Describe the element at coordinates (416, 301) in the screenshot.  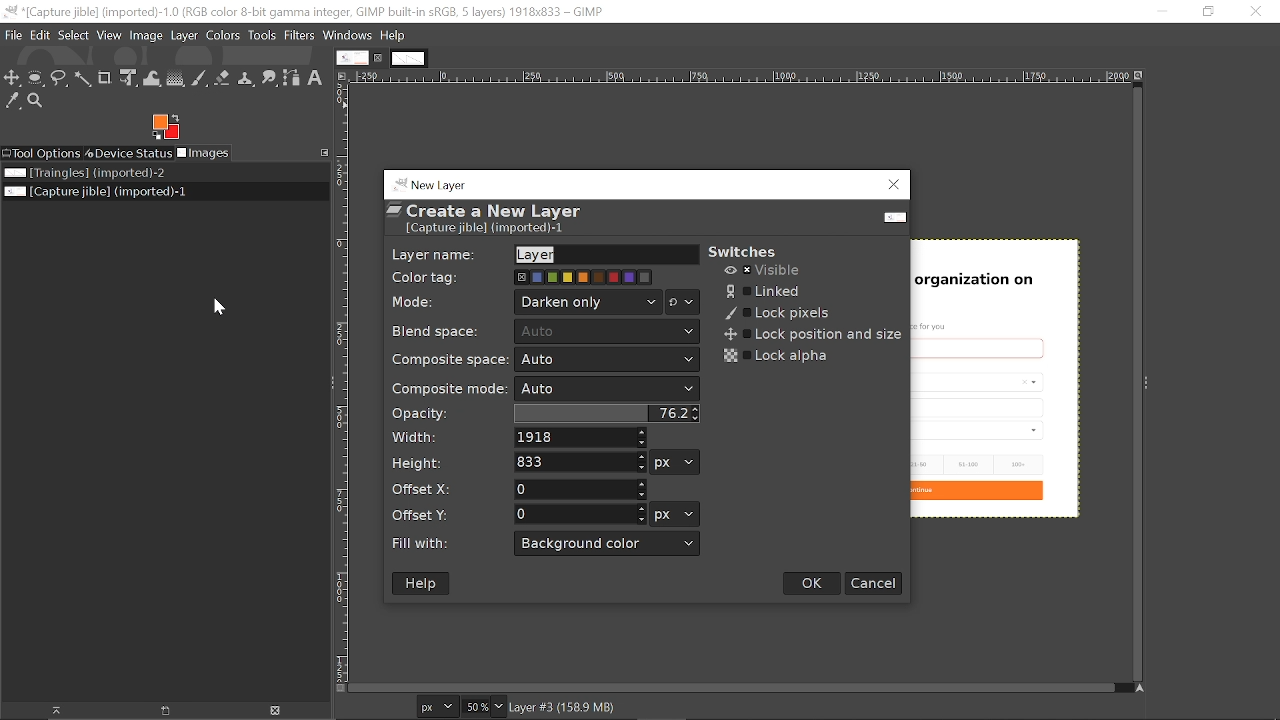
I see `mode` at that location.